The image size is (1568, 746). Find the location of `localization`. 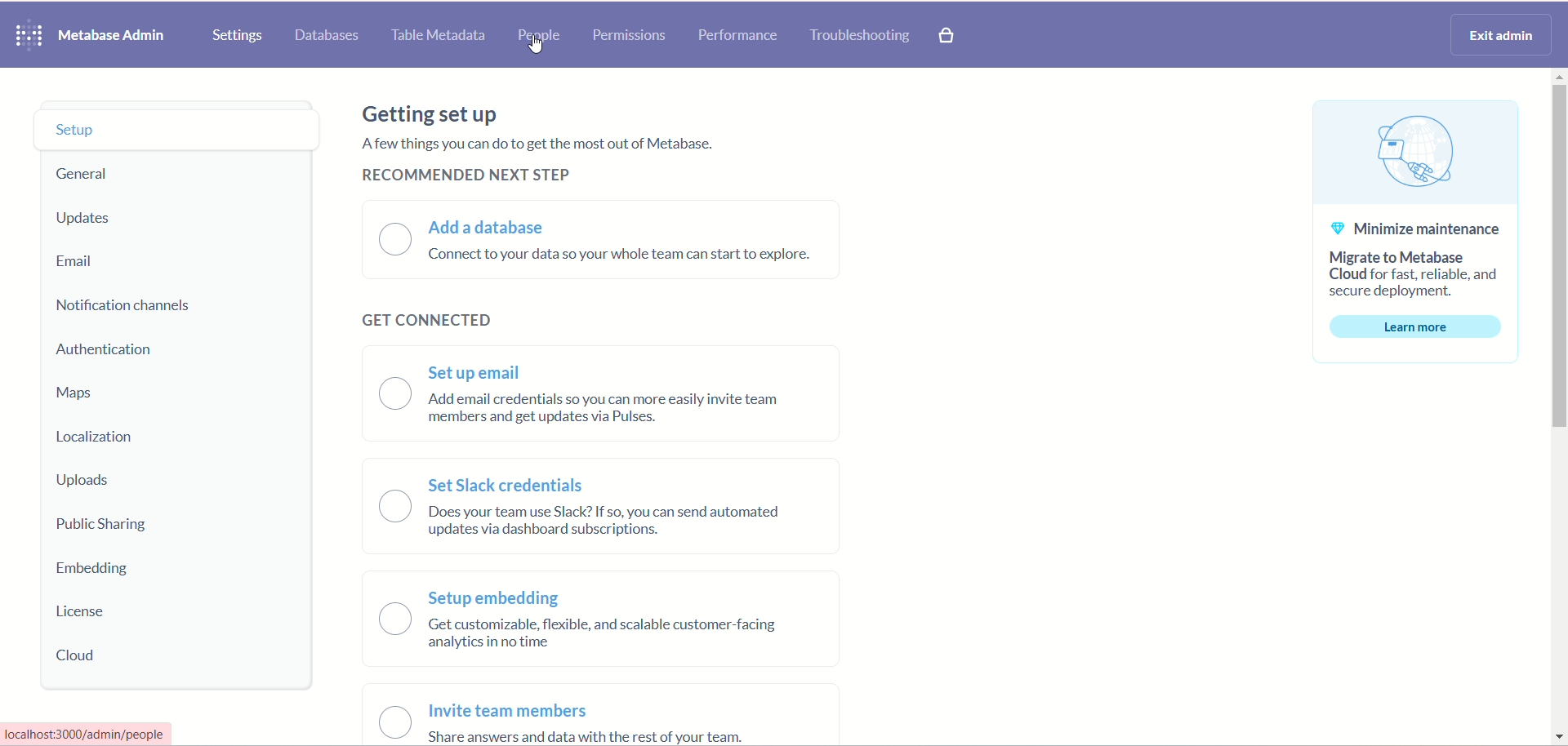

localization is located at coordinates (104, 435).